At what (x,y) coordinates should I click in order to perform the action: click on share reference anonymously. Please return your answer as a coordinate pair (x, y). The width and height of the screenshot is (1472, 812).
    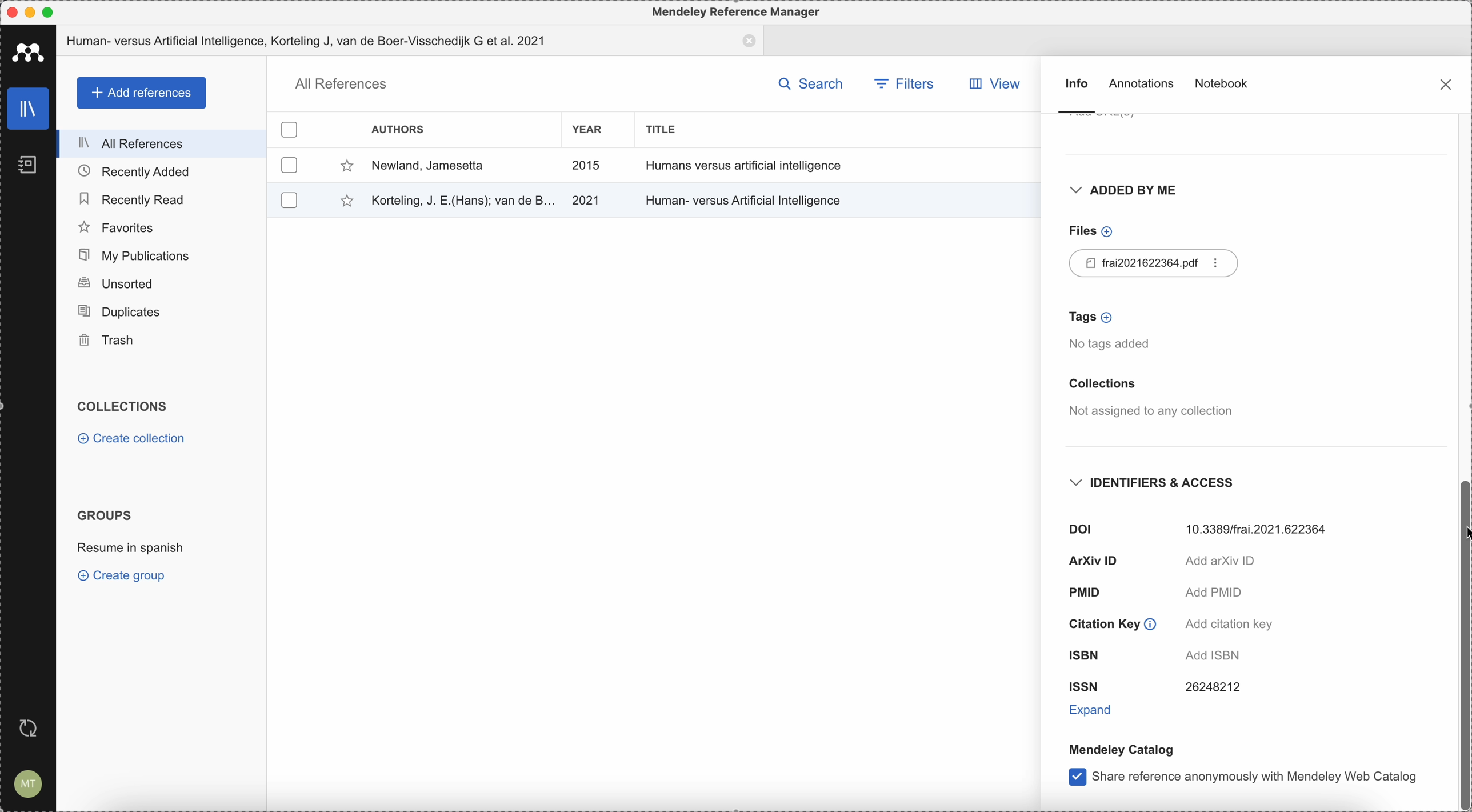
    Looking at the image, I should click on (1243, 779).